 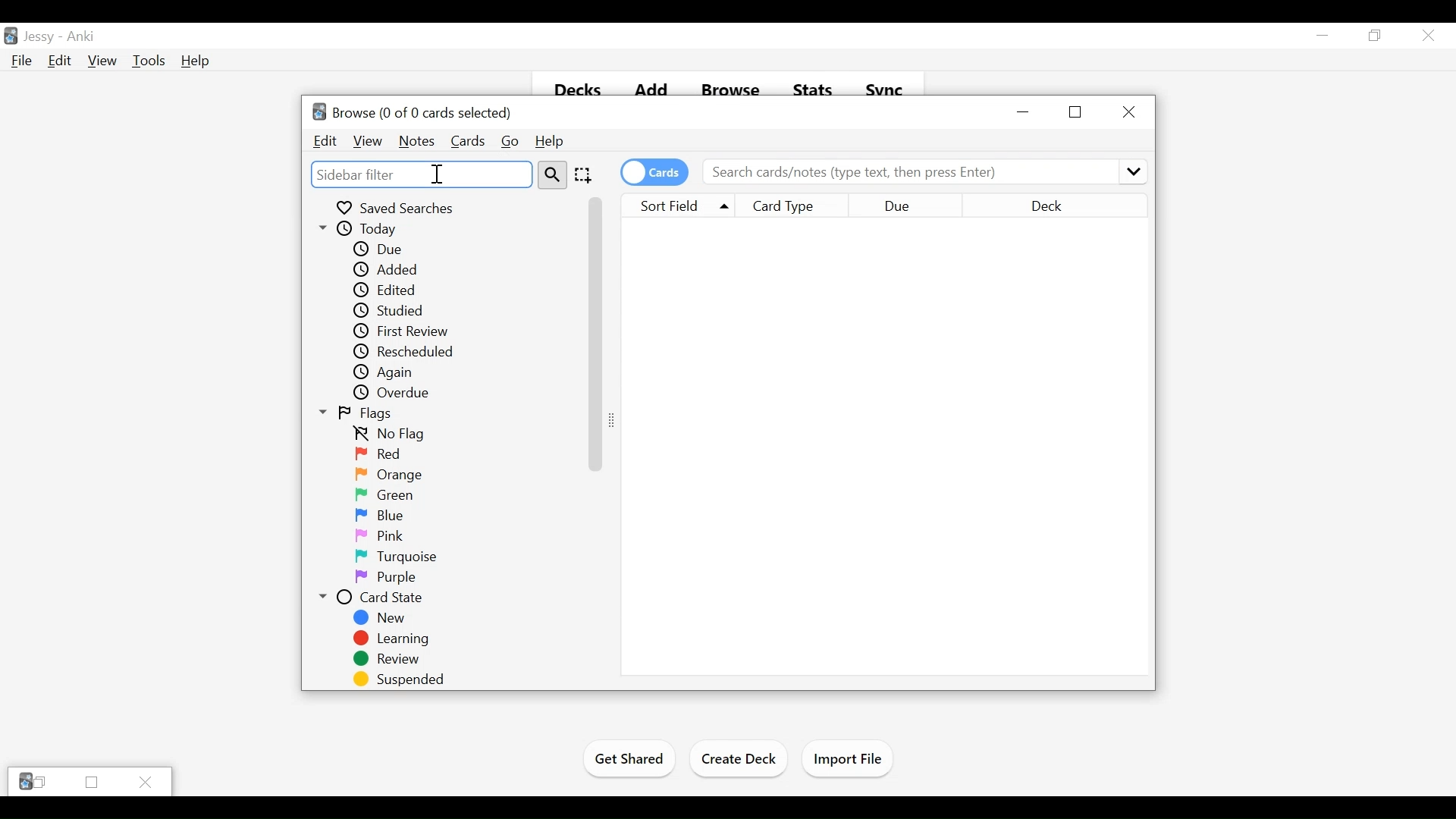 I want to click on Help, so click(x=548, y=142).